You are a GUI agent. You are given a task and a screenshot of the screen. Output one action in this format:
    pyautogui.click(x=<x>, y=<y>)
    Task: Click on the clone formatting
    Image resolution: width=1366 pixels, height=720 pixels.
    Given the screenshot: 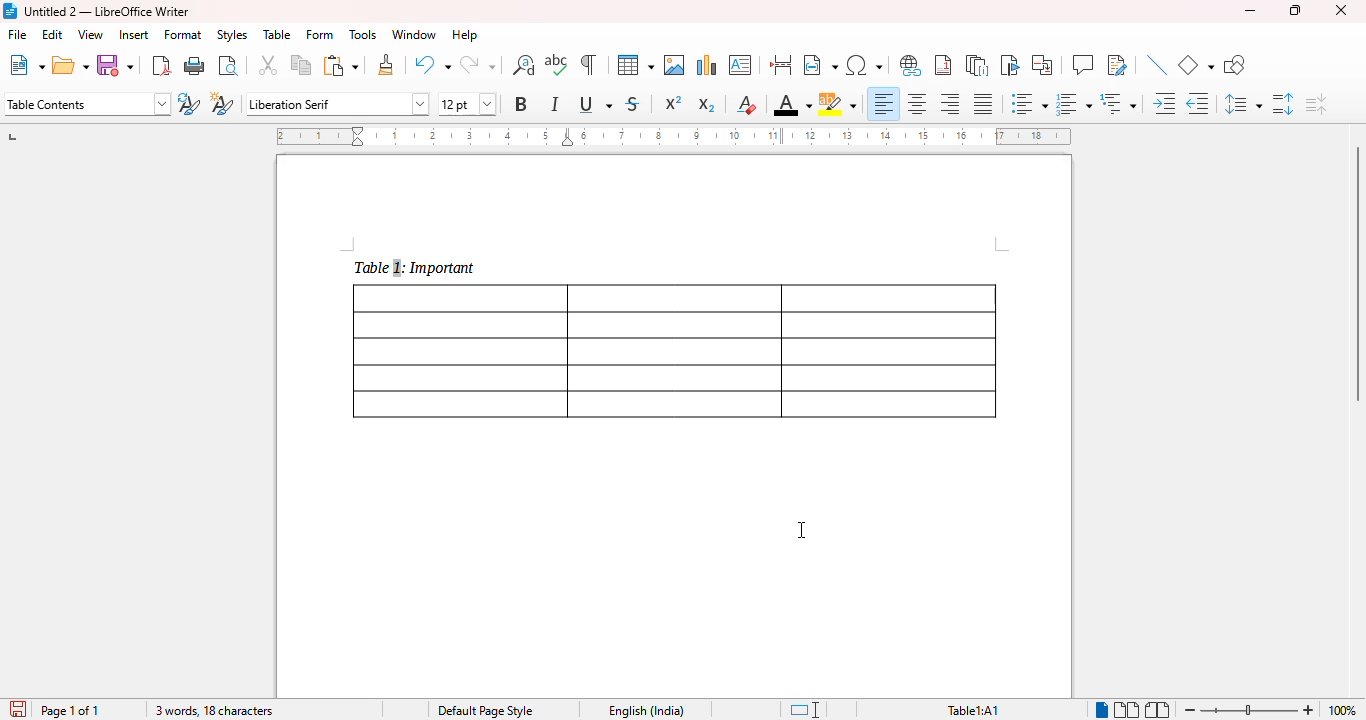 What is the action you would take?
    pyautogui.click(x=387, y=64)
    